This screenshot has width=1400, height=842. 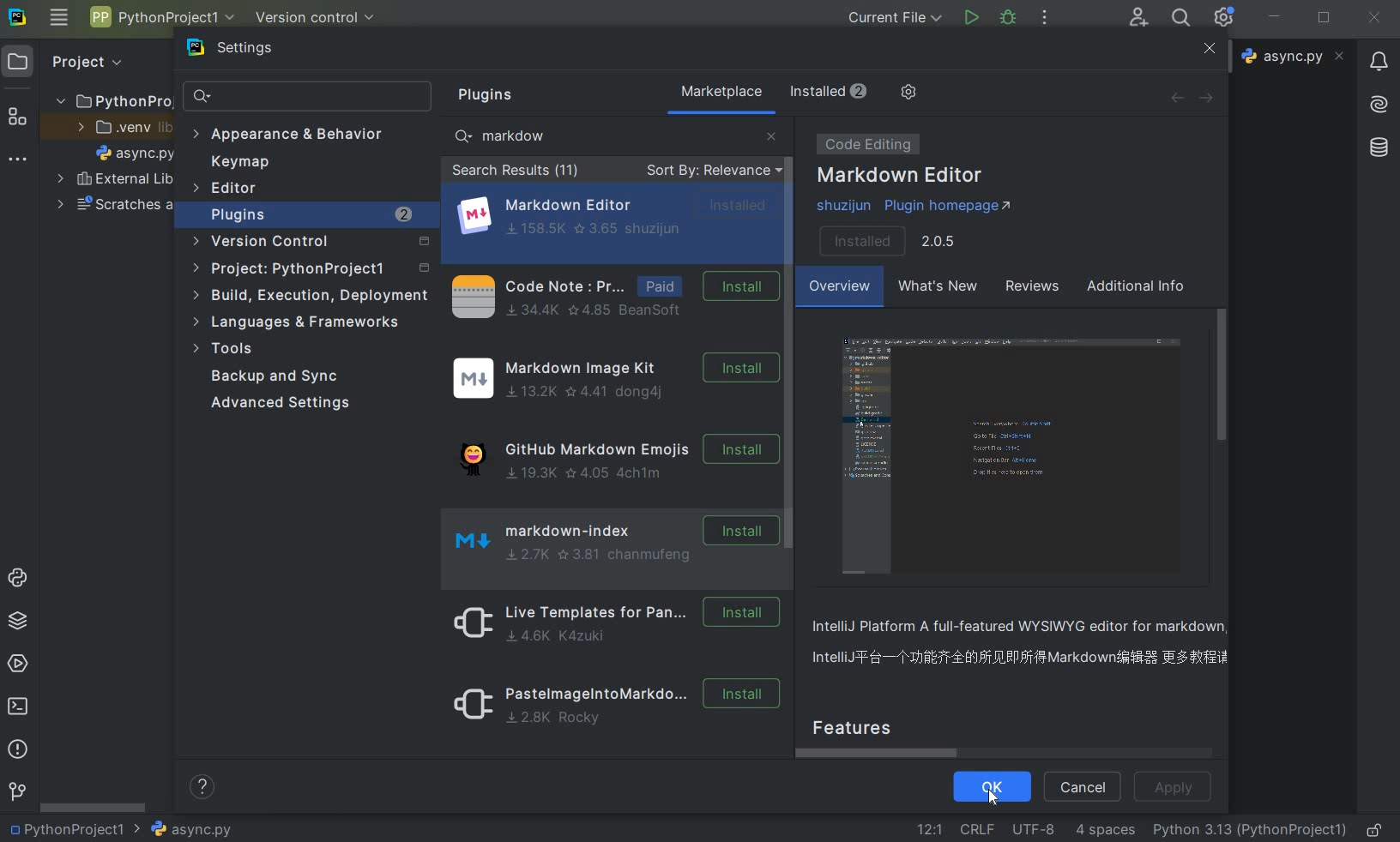 What do you see at coordinates (87, 63) in the screenshot?
I see `Project` at bounding box center [87, 63].